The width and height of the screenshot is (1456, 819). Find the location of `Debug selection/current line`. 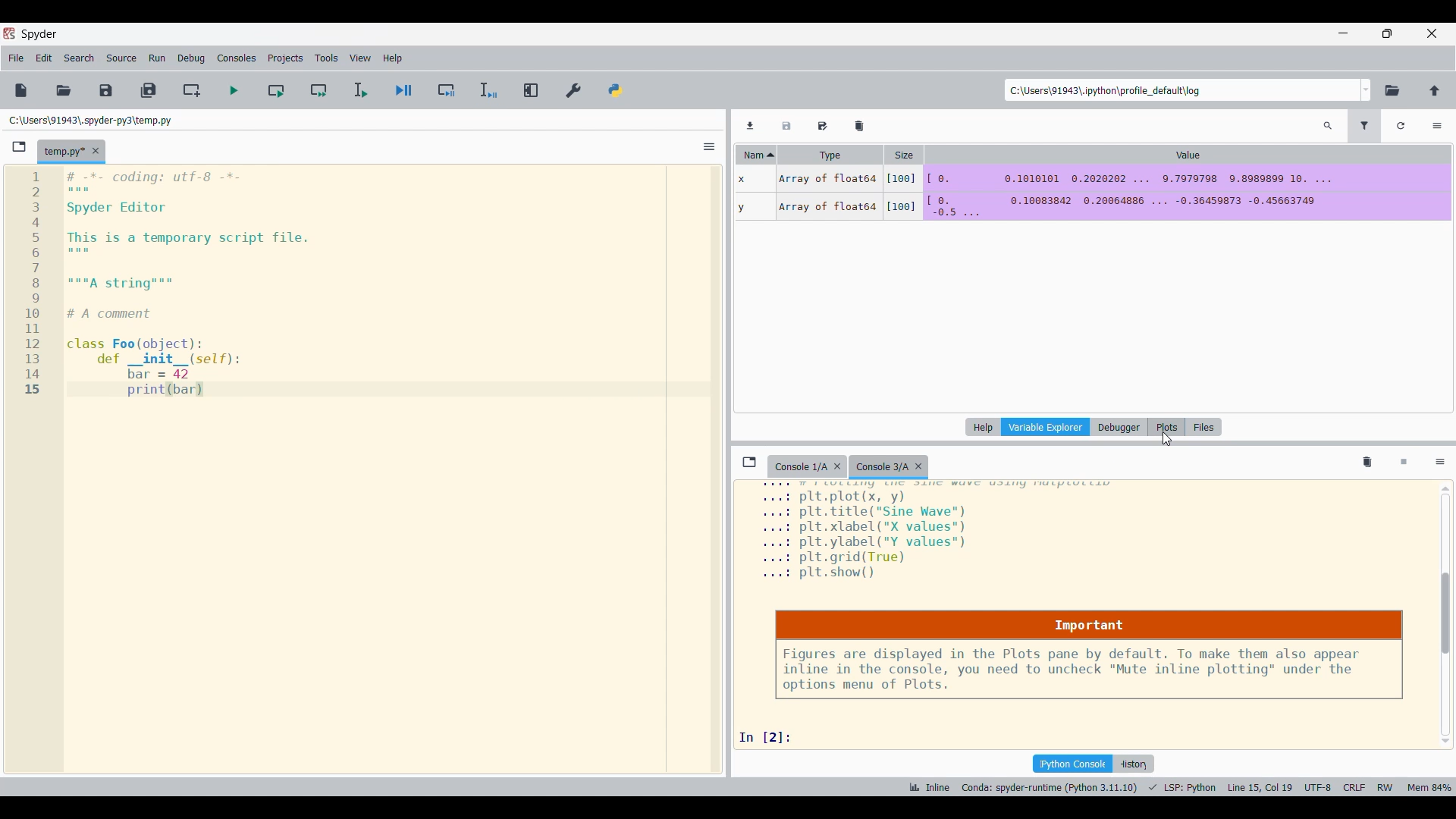

Debug selection/current line is located at coordinates (488, 90).